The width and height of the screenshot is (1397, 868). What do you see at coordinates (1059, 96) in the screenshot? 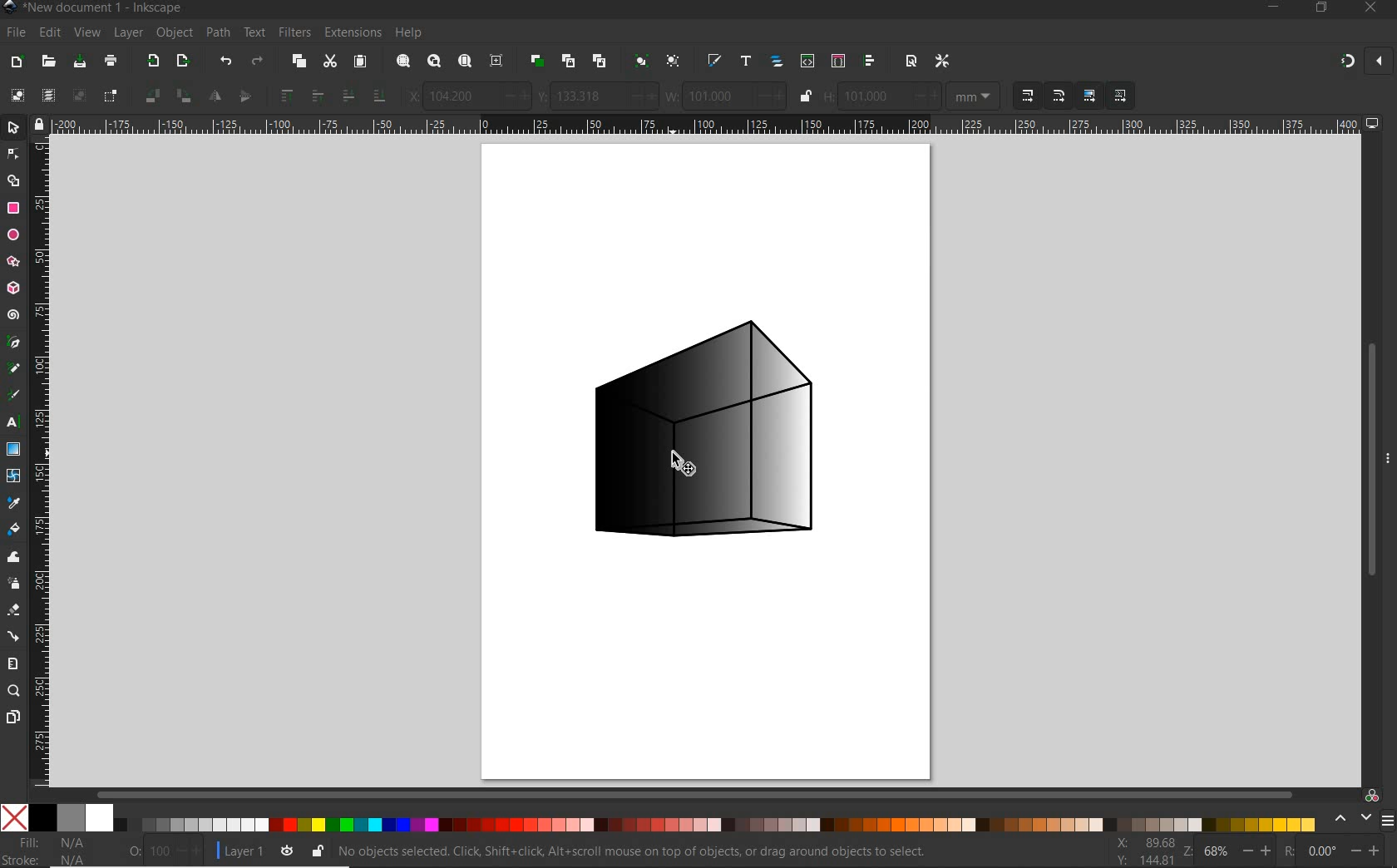
I see `SCALING` at bounding box center [1059, 96].